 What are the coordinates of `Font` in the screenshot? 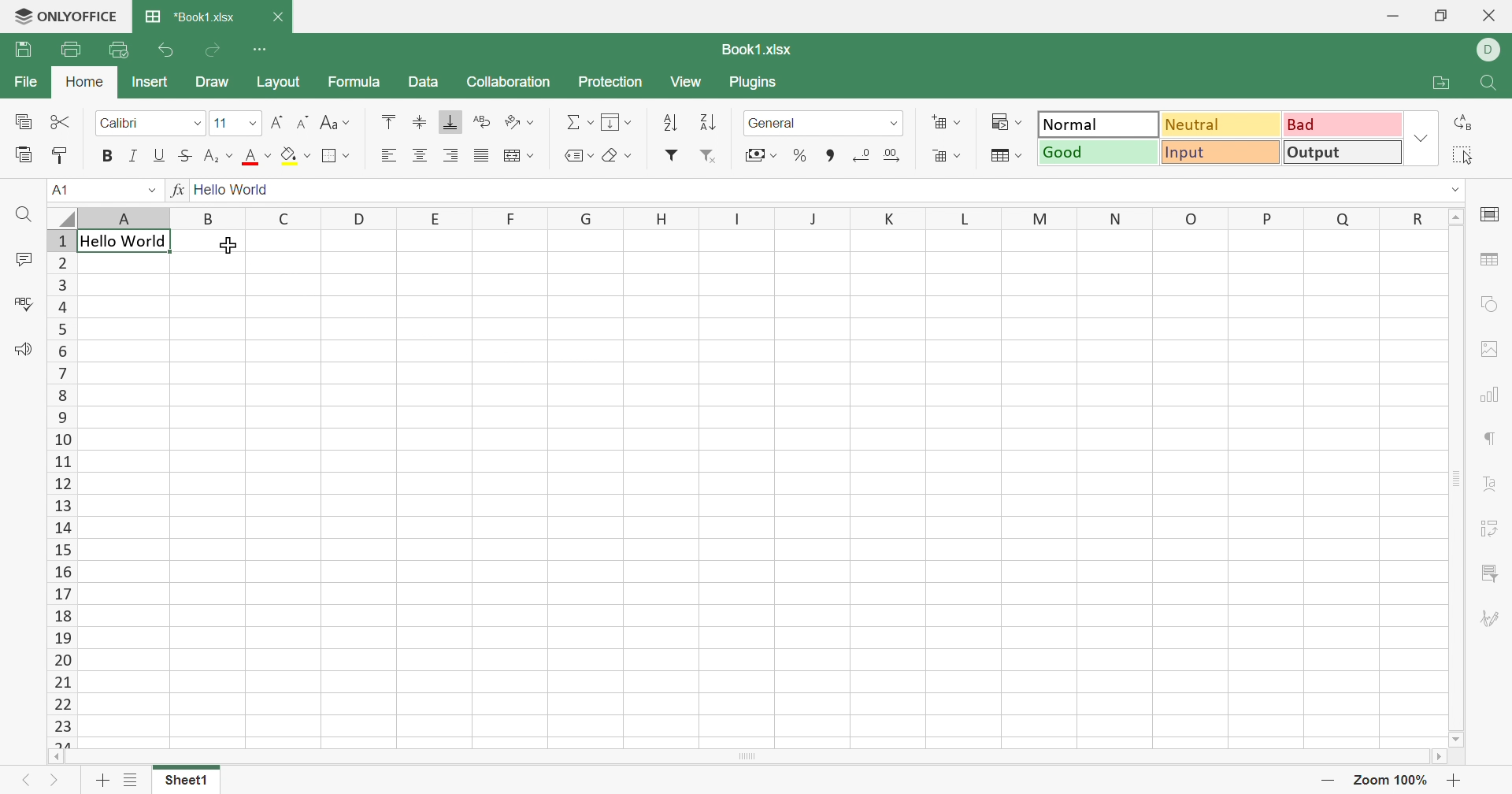 It's located at (151, 123).